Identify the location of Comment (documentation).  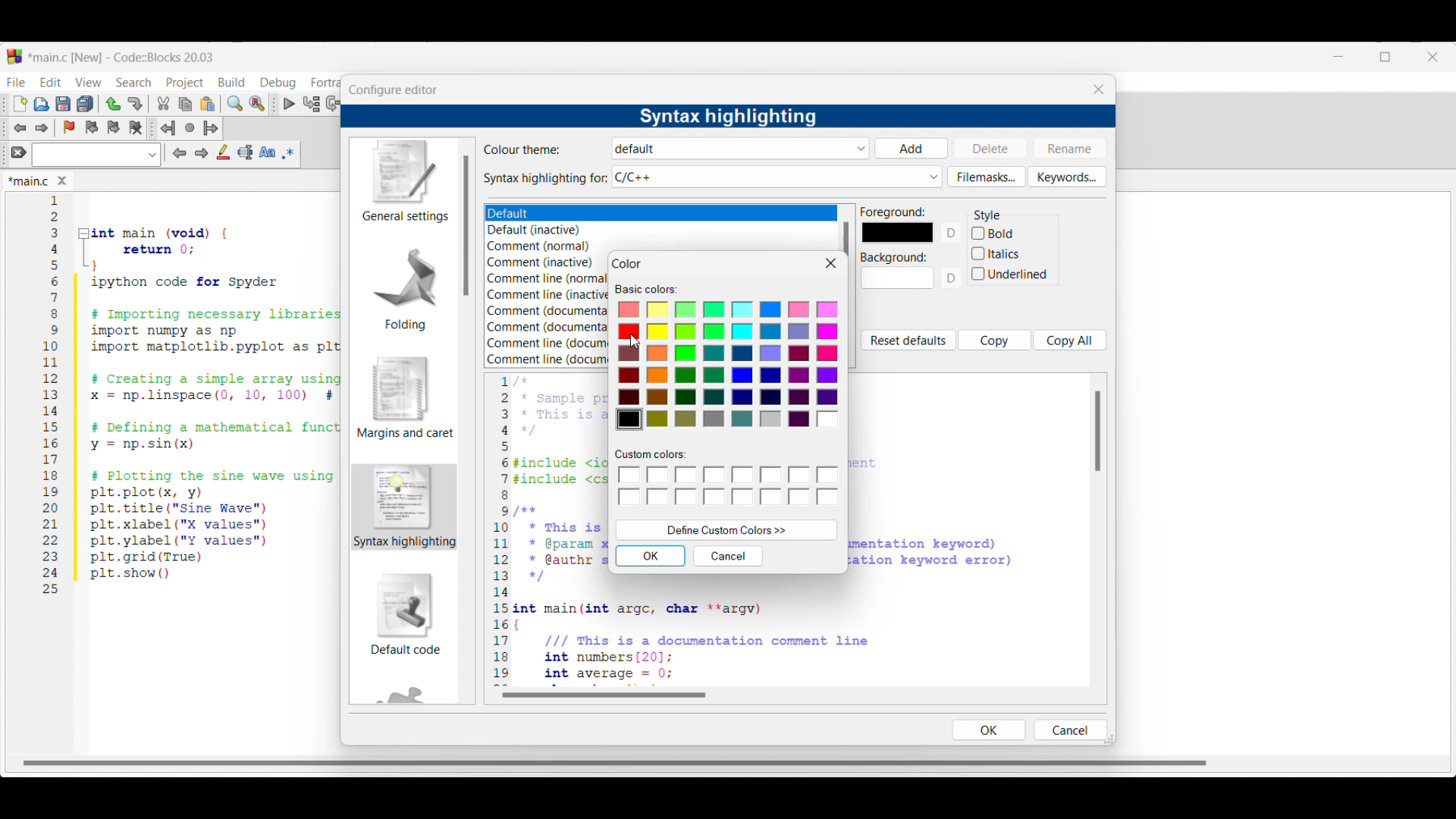
(549, 309).